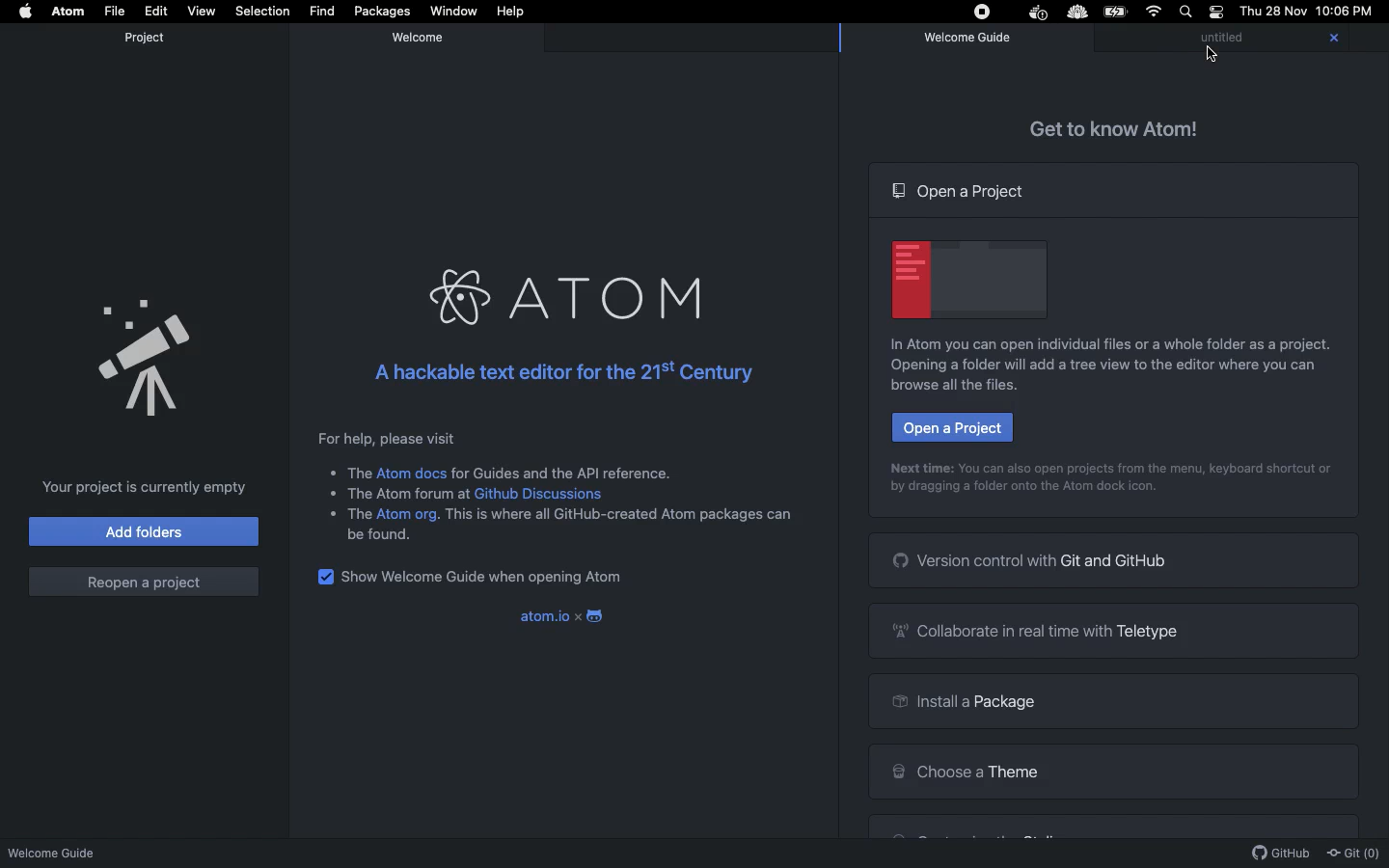 This screenshot has height=868, width=1389. What do you see at coordinates (413, 473) in the screenshot?
I see `atom docs` at bounding box center [413, 473].